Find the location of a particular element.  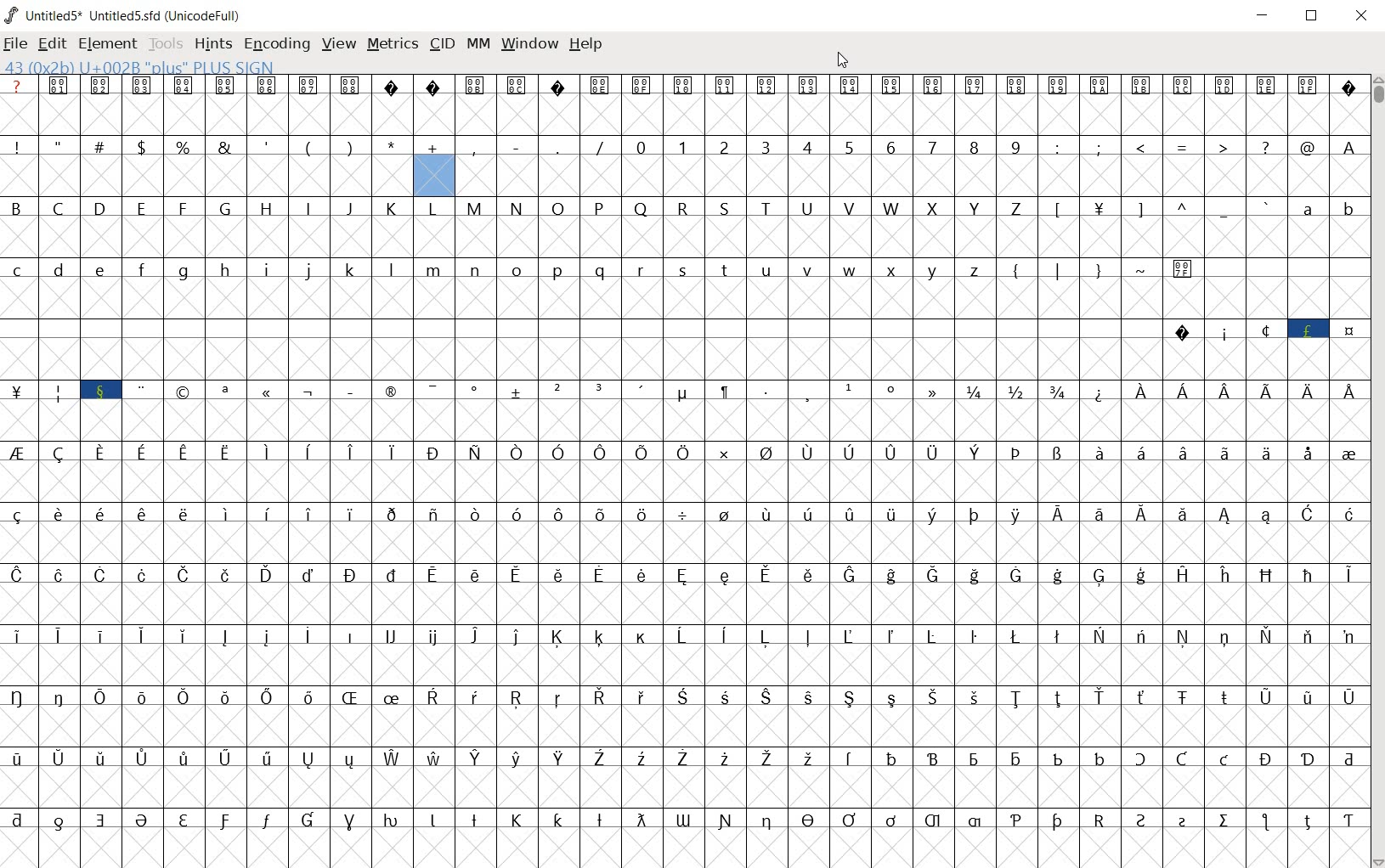

encoding is located at coordinates (276, 42).